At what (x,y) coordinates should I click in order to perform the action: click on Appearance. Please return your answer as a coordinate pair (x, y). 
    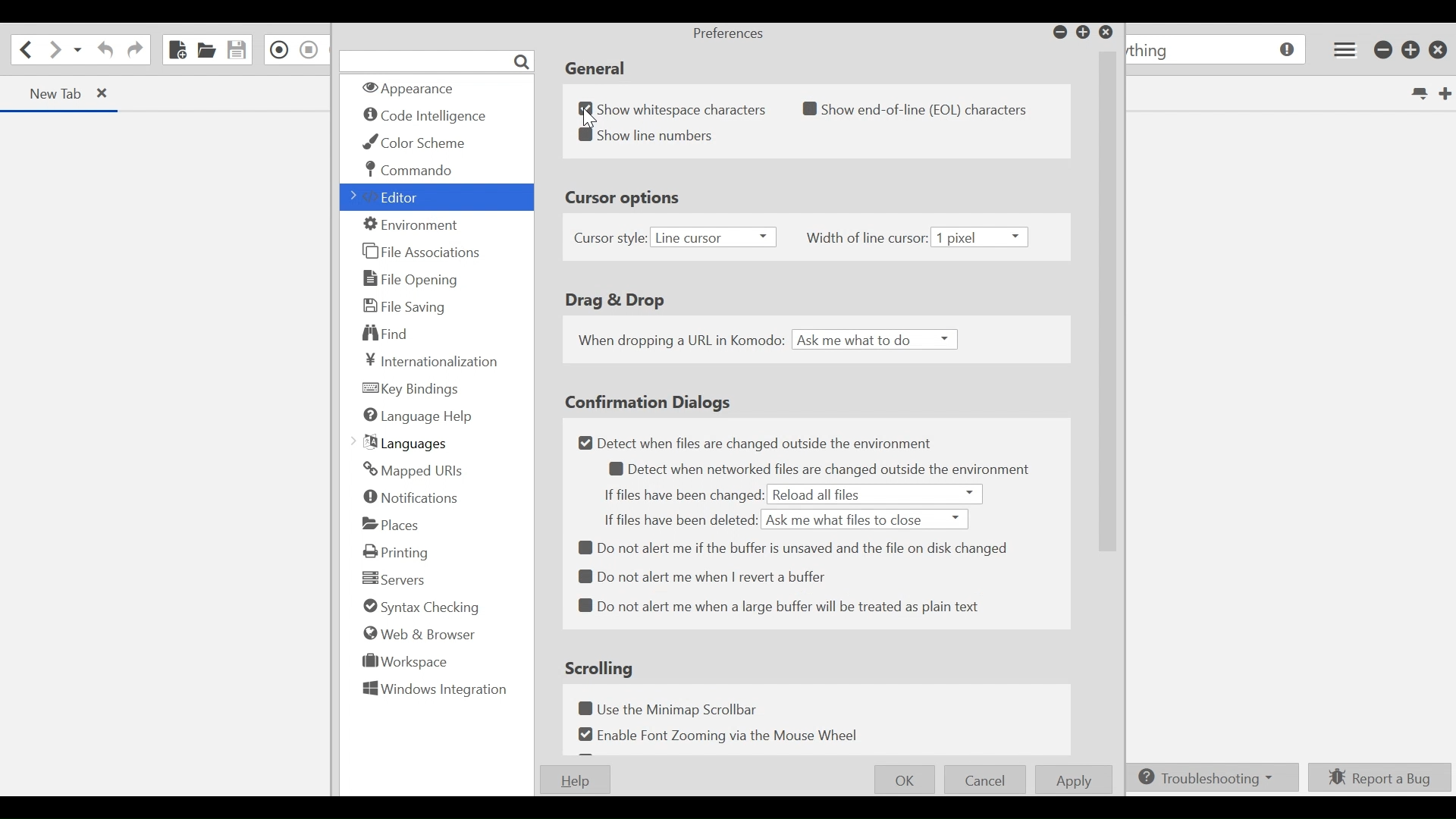
    Looking at the image, I should click on (418, 89).